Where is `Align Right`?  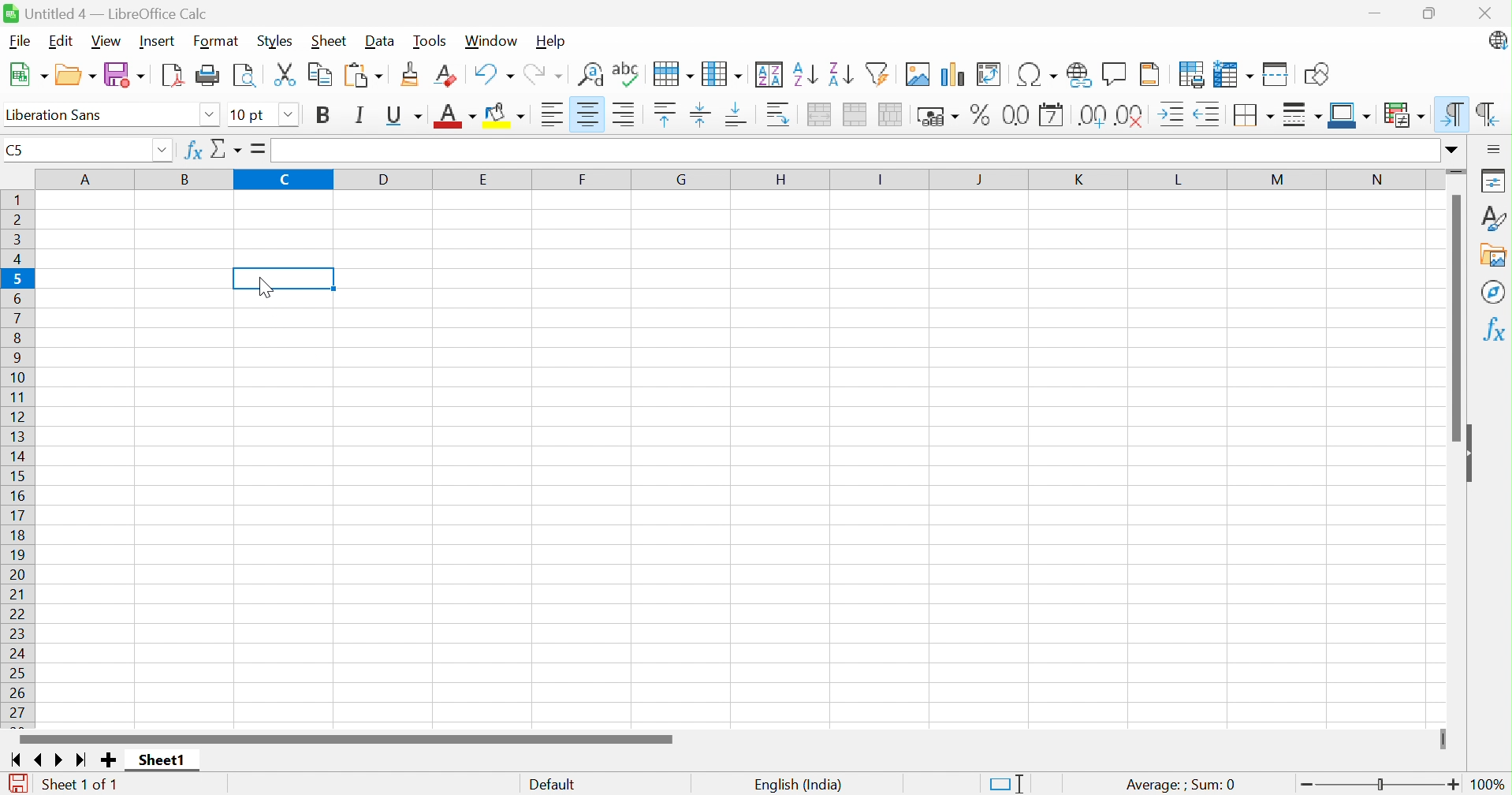 Align Right is located at coordinates (627, 115).